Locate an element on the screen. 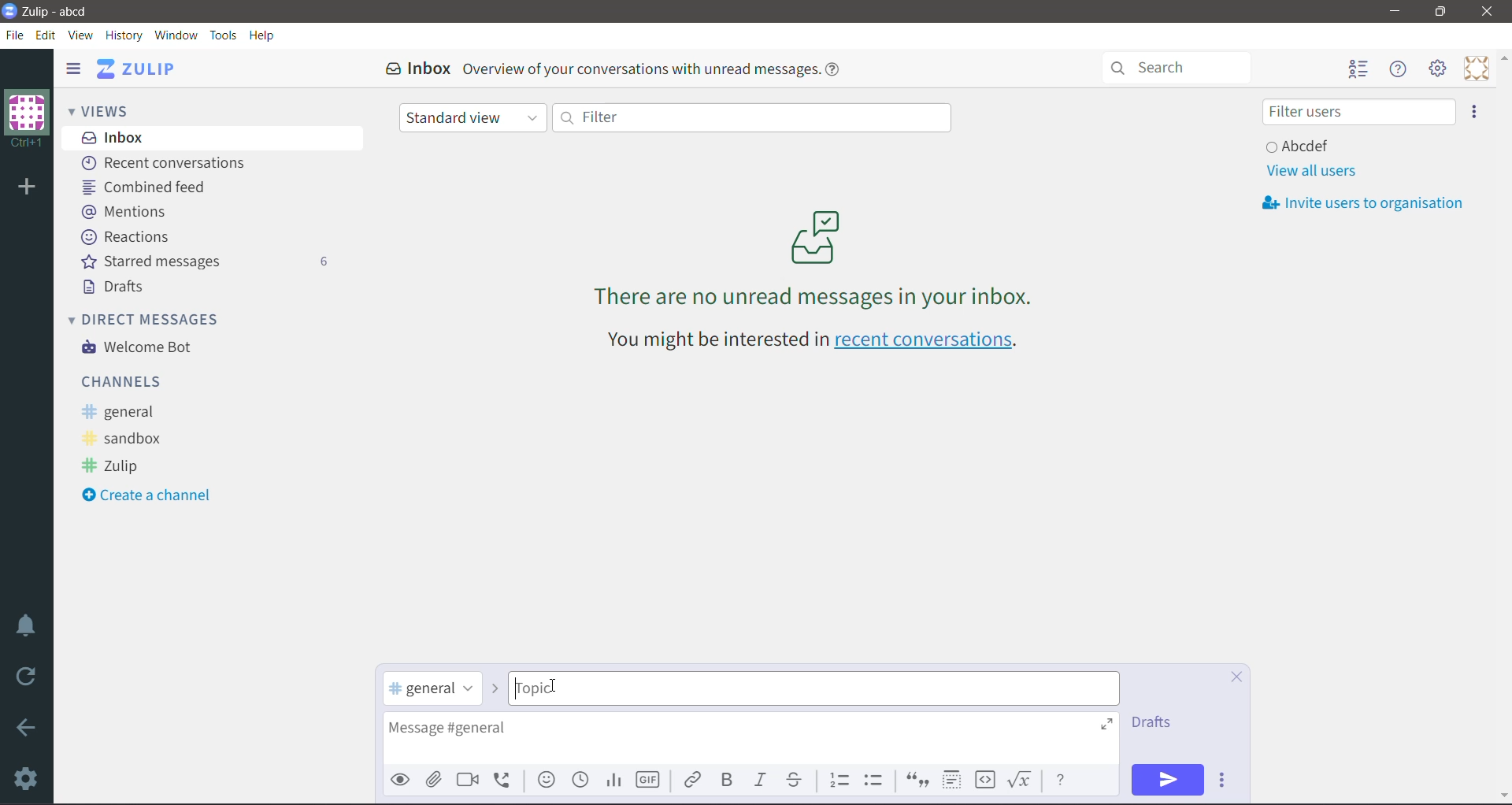 Image resolution: width=1512 pixels, height=805 pixels. Hide left sidebar is located at coordinates (72, 68).